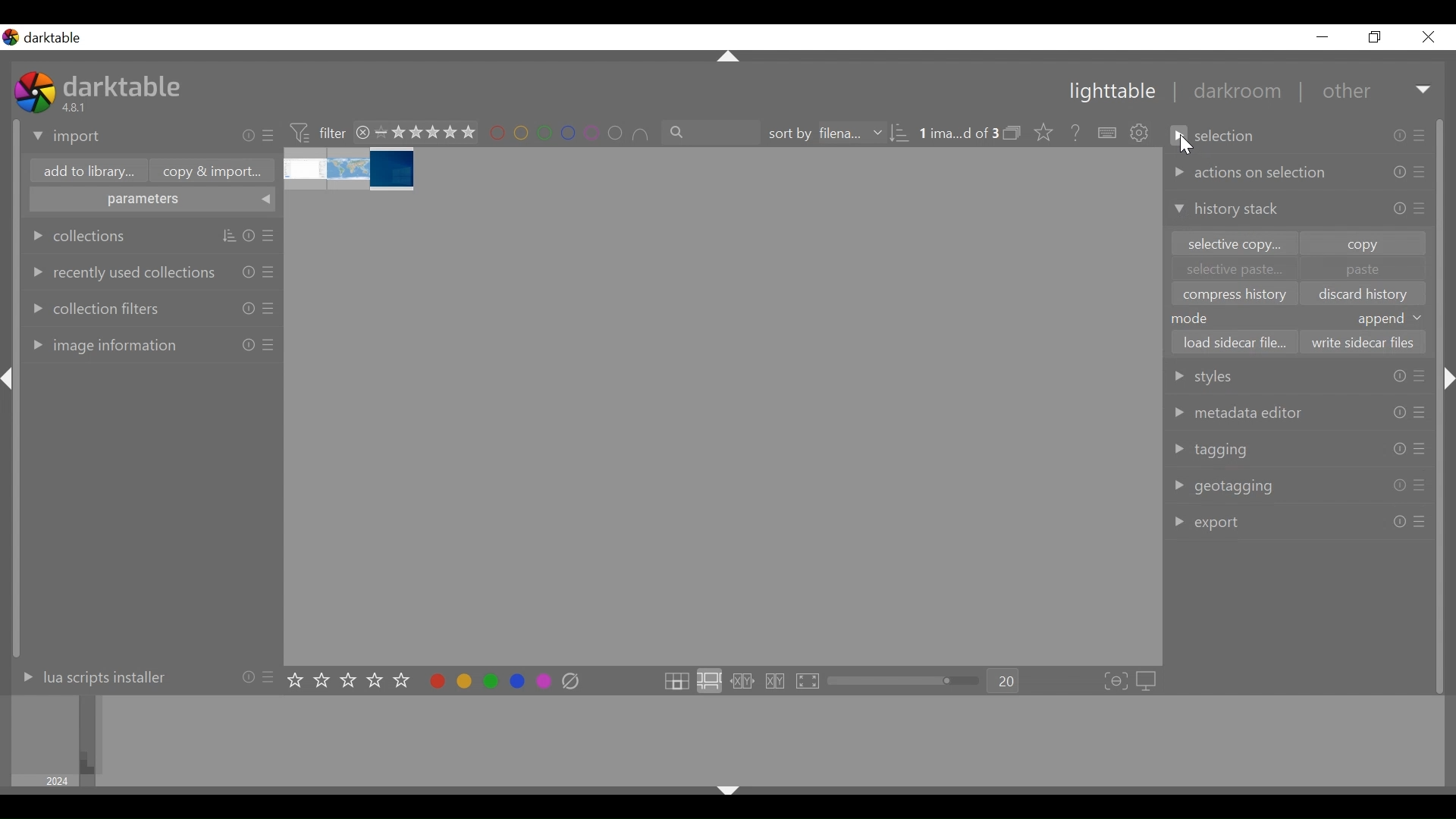 This screenshot has width=1456, height=819. What do you see at coordinates (1232, 293) in the screenshot?
I see `compress history` at bounding box center [1232, 293].